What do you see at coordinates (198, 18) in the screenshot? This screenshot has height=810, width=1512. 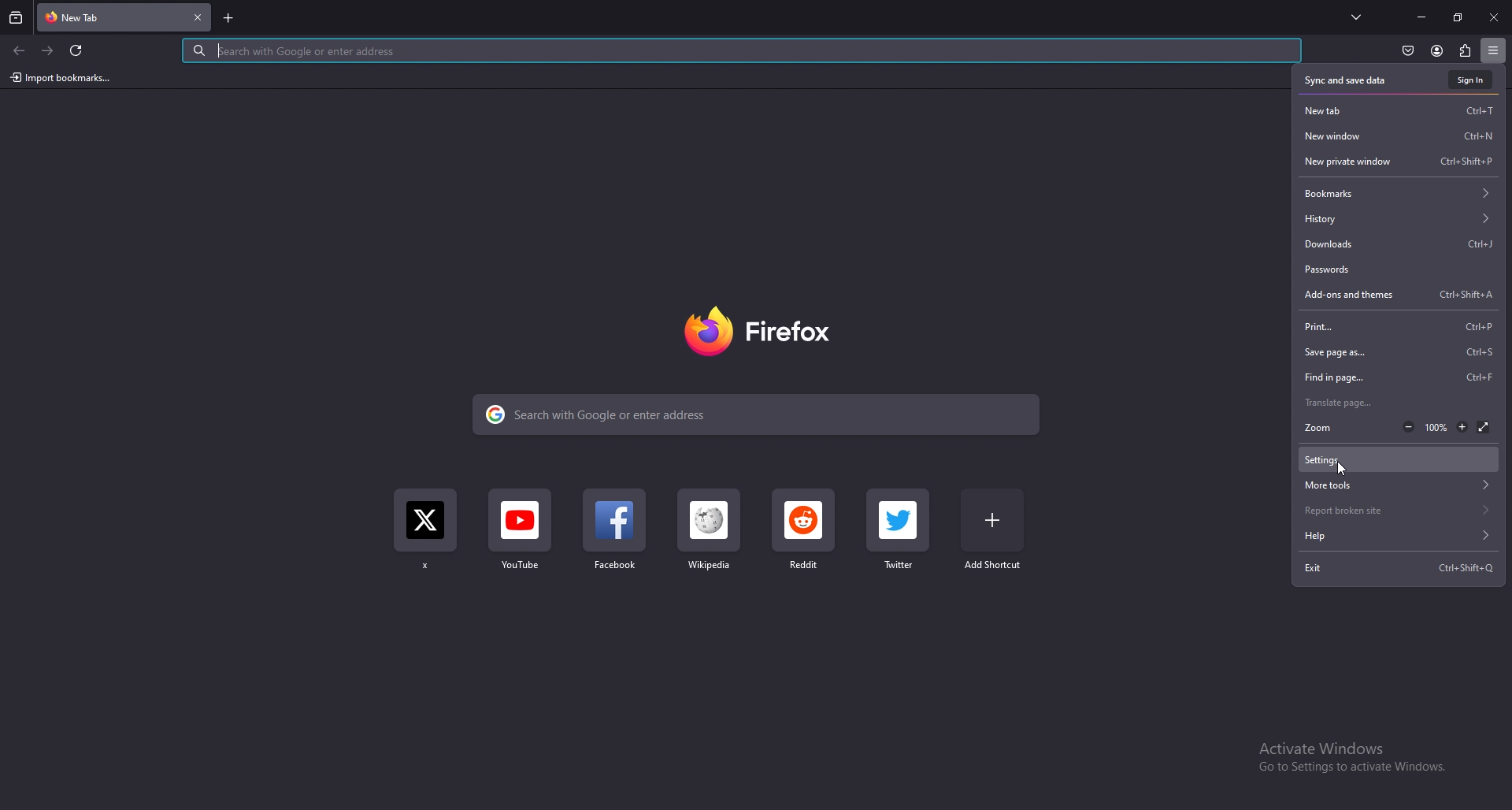 I see `close tab` at bounding box center [198, 18].